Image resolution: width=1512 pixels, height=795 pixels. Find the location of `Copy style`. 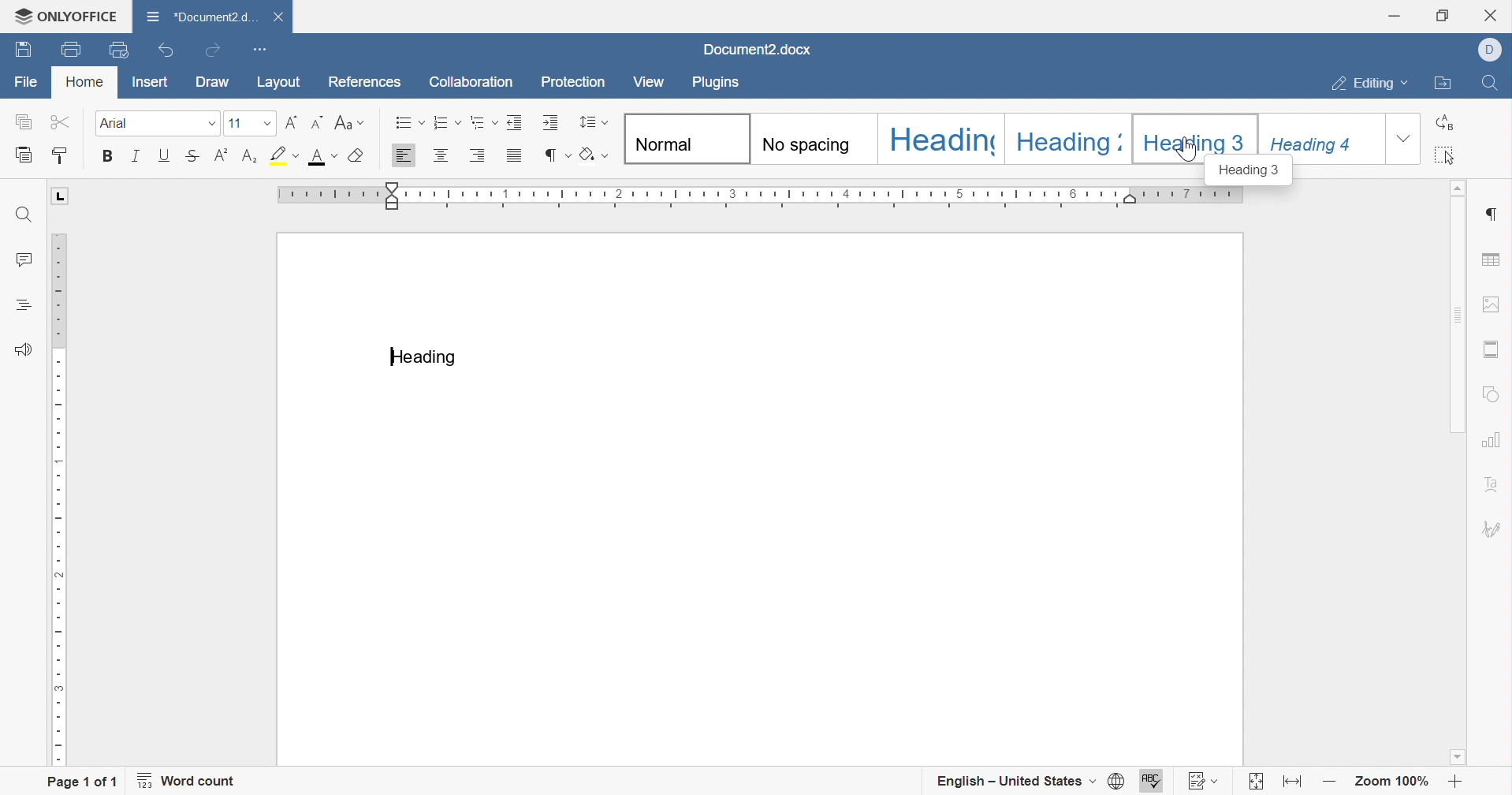

Copy style is located at coordinates (68, 155).